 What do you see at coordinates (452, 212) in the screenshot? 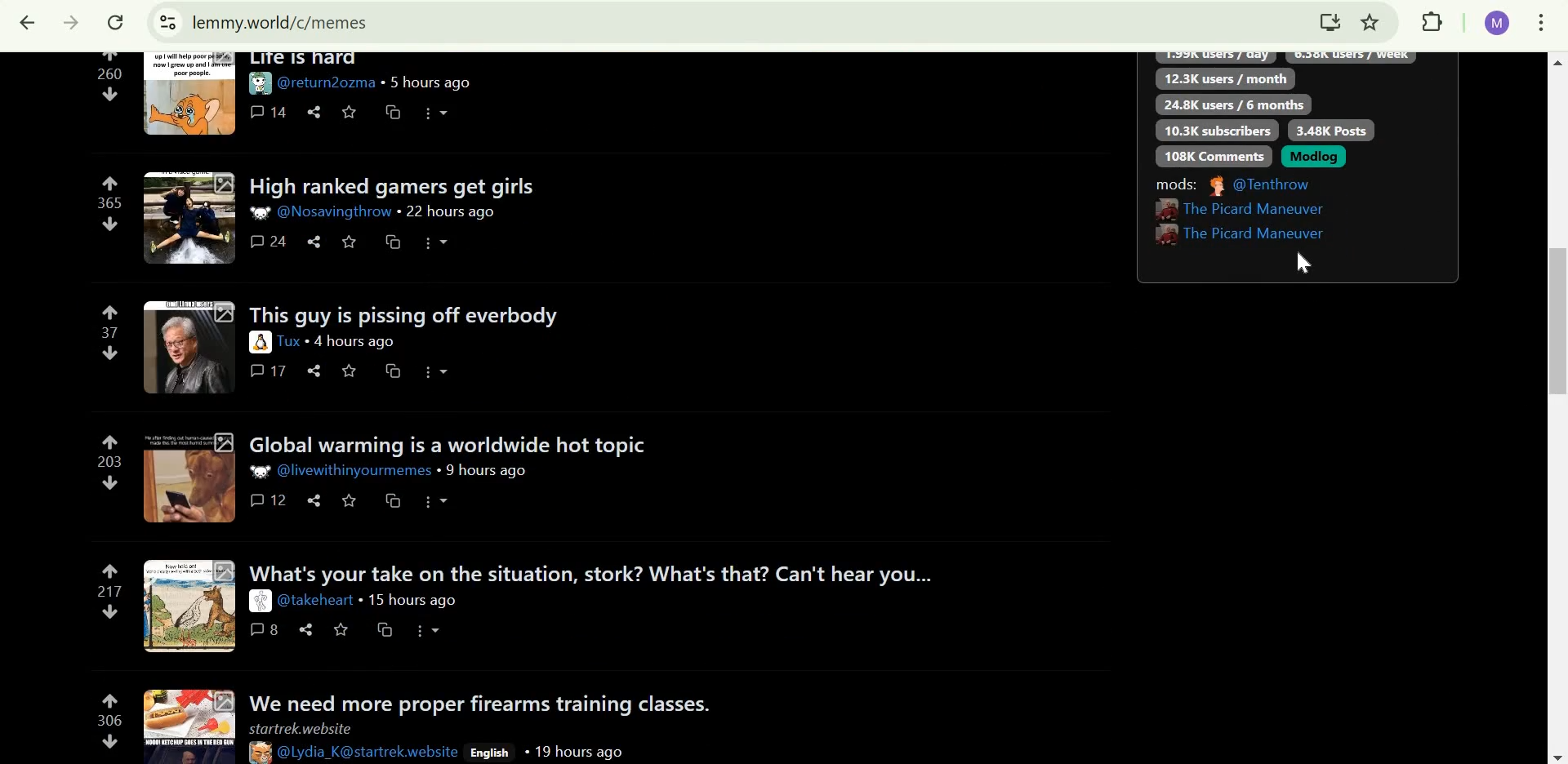
I see `22 hours ago` at bounding box center [452, 212].